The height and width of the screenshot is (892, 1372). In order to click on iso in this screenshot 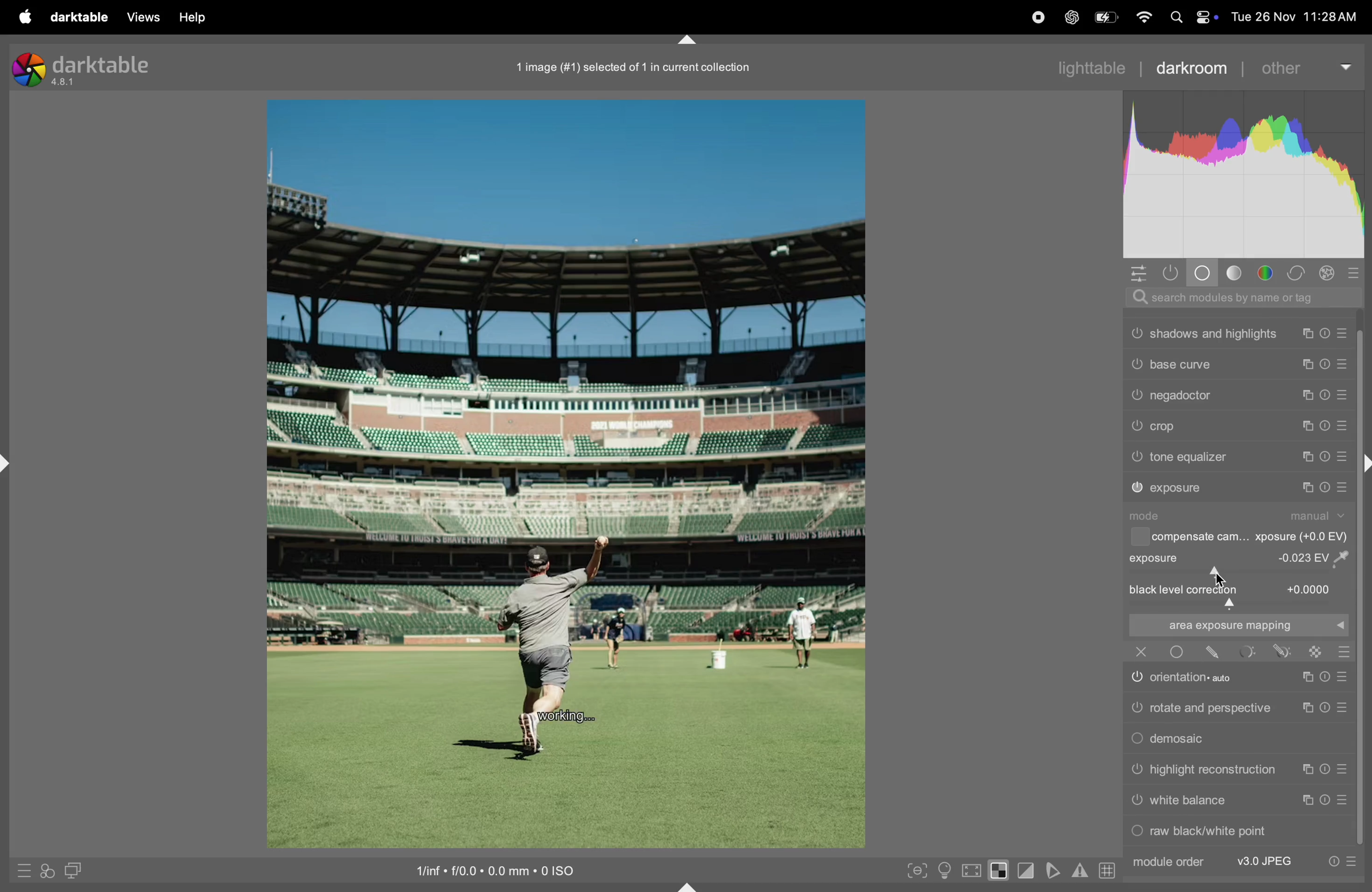, I will do `click(489, 869)`.